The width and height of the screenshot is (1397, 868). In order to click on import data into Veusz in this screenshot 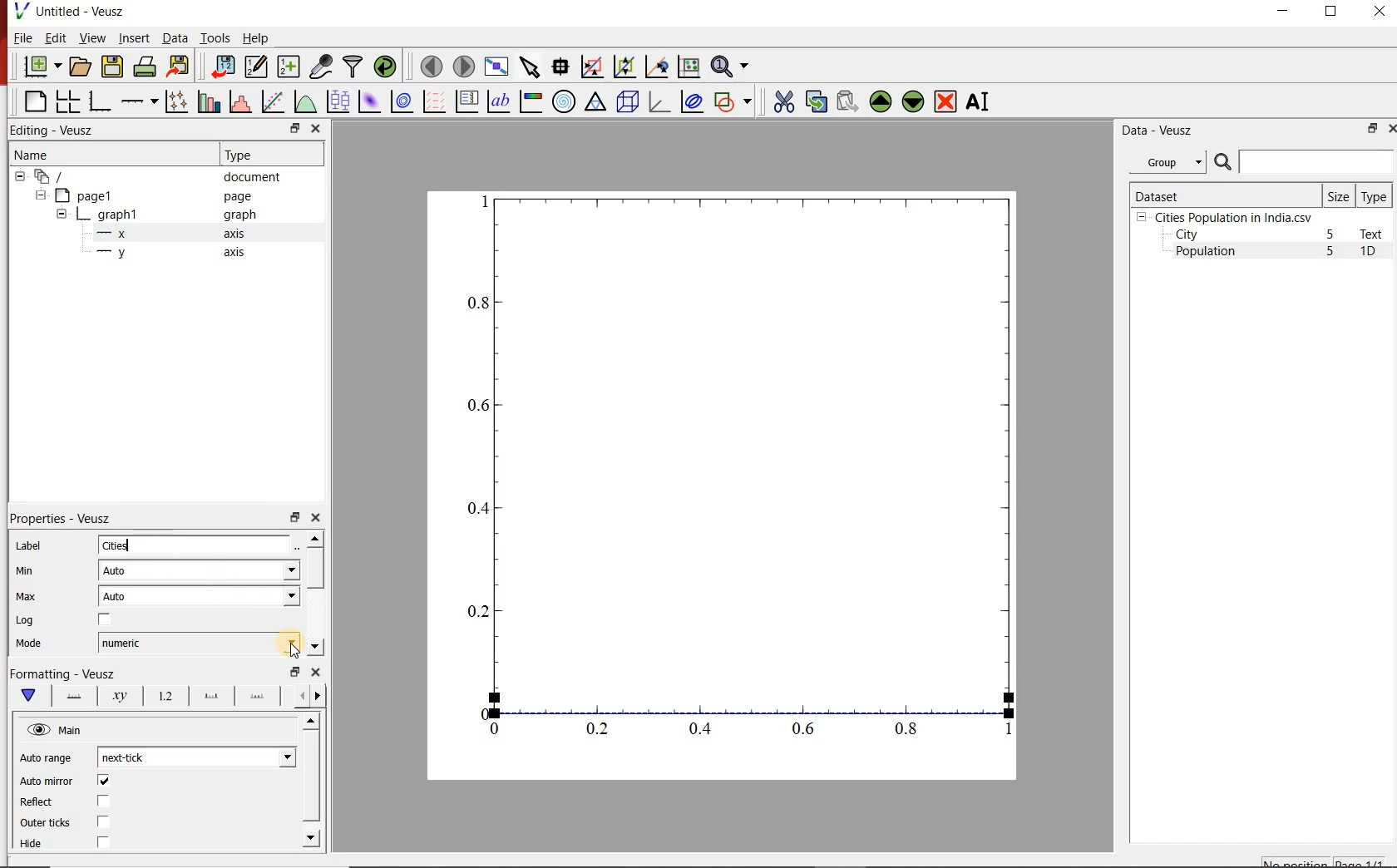, I will do `click(222, 66)`.